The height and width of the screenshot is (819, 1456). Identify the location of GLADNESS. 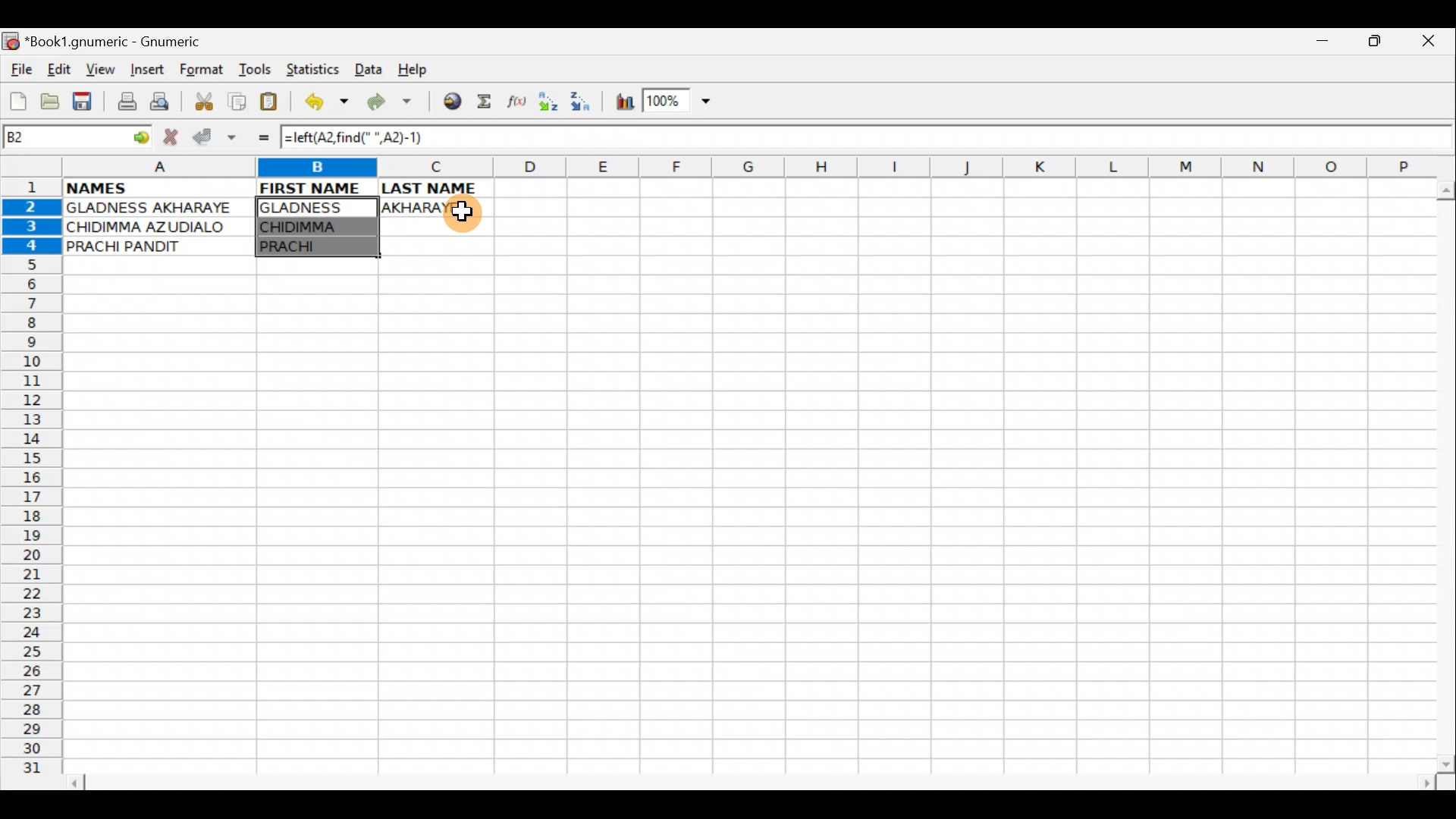
(313, 208).